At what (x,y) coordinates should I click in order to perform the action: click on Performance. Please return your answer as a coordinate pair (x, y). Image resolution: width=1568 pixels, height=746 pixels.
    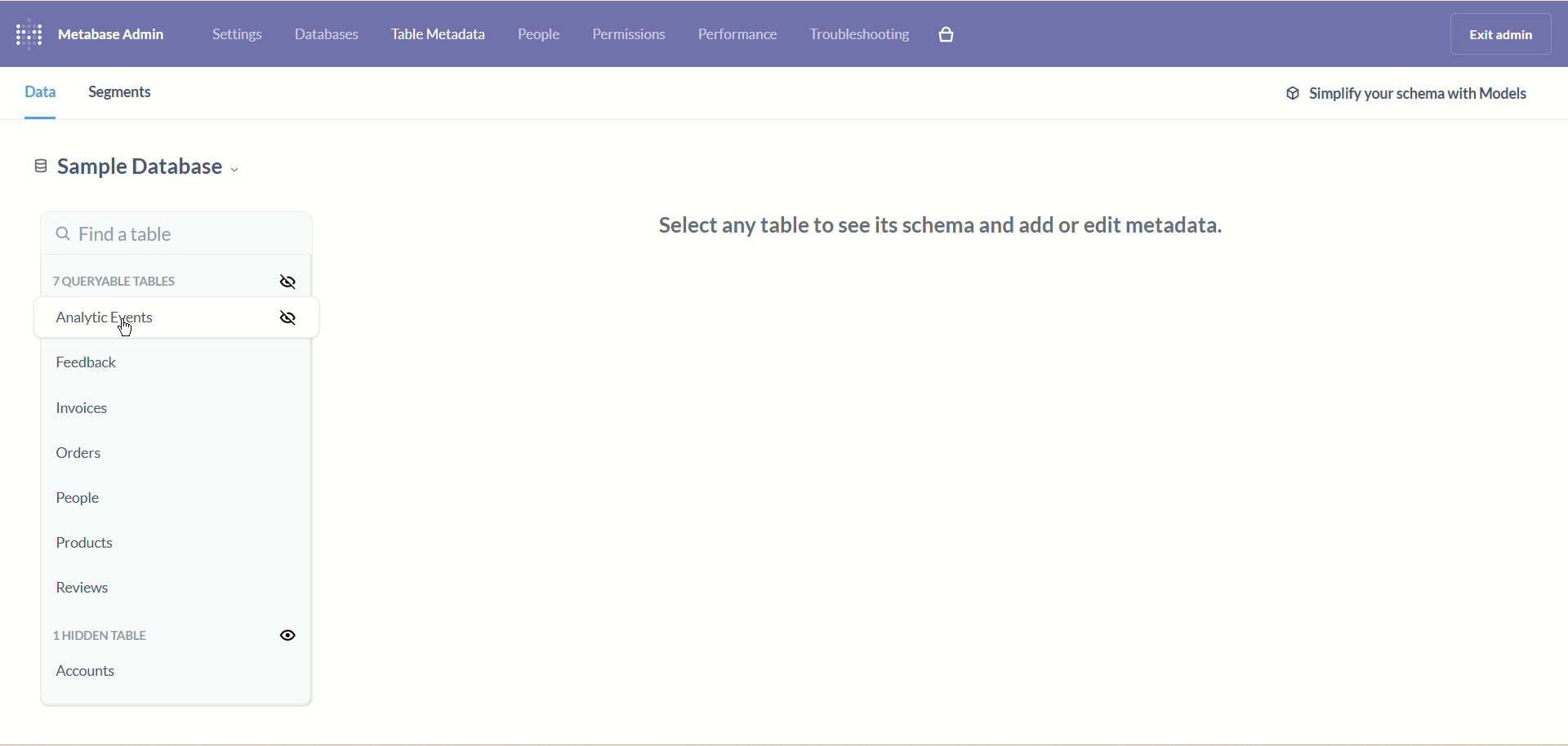
    Looking at the image, I should click on (741, 39).